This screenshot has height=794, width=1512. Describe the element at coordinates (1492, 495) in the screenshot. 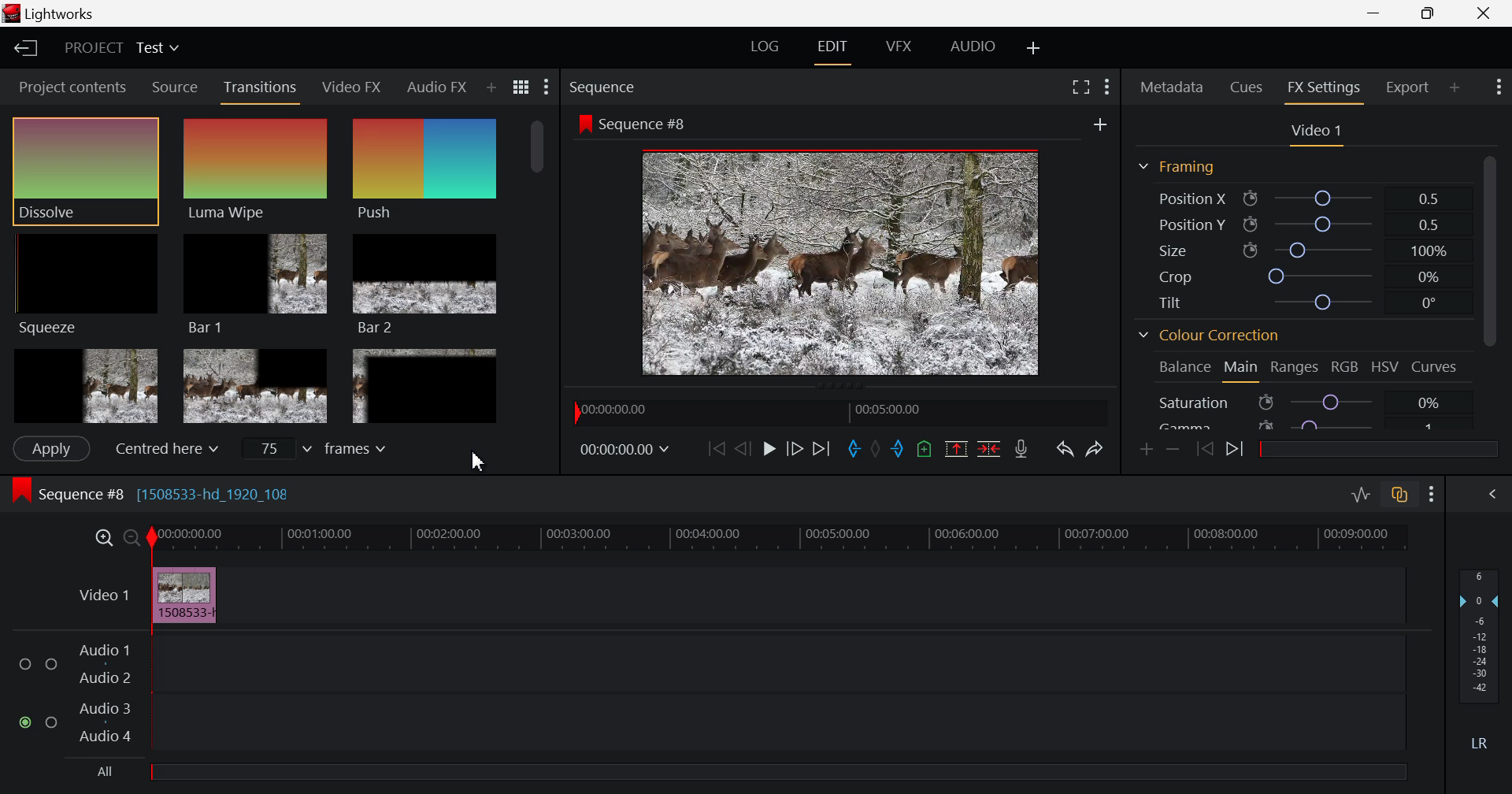

I see `Show Audio Mix` at that location.